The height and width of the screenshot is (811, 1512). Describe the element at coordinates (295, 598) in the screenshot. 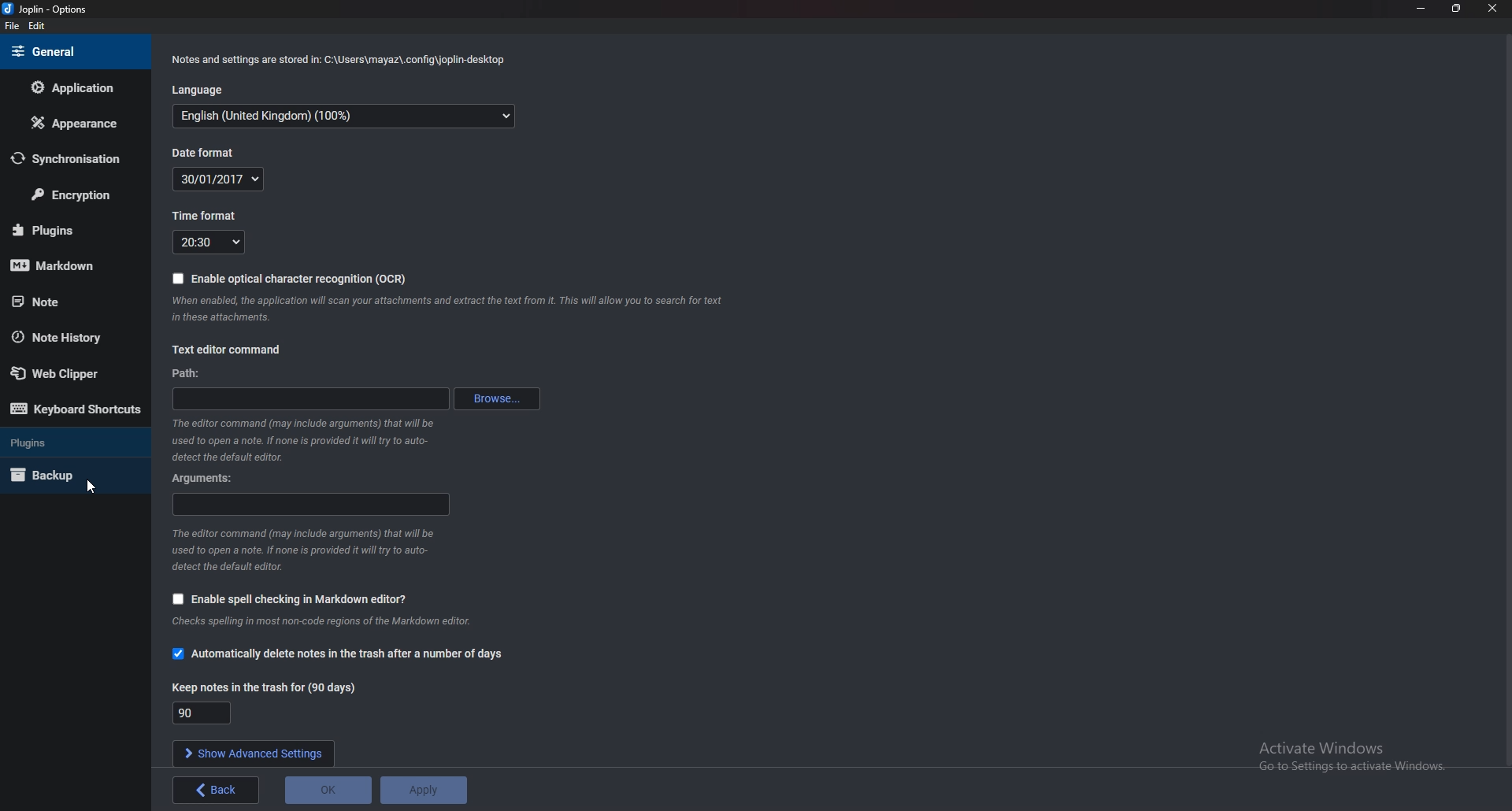

I see `Enable spell checking` at that location.